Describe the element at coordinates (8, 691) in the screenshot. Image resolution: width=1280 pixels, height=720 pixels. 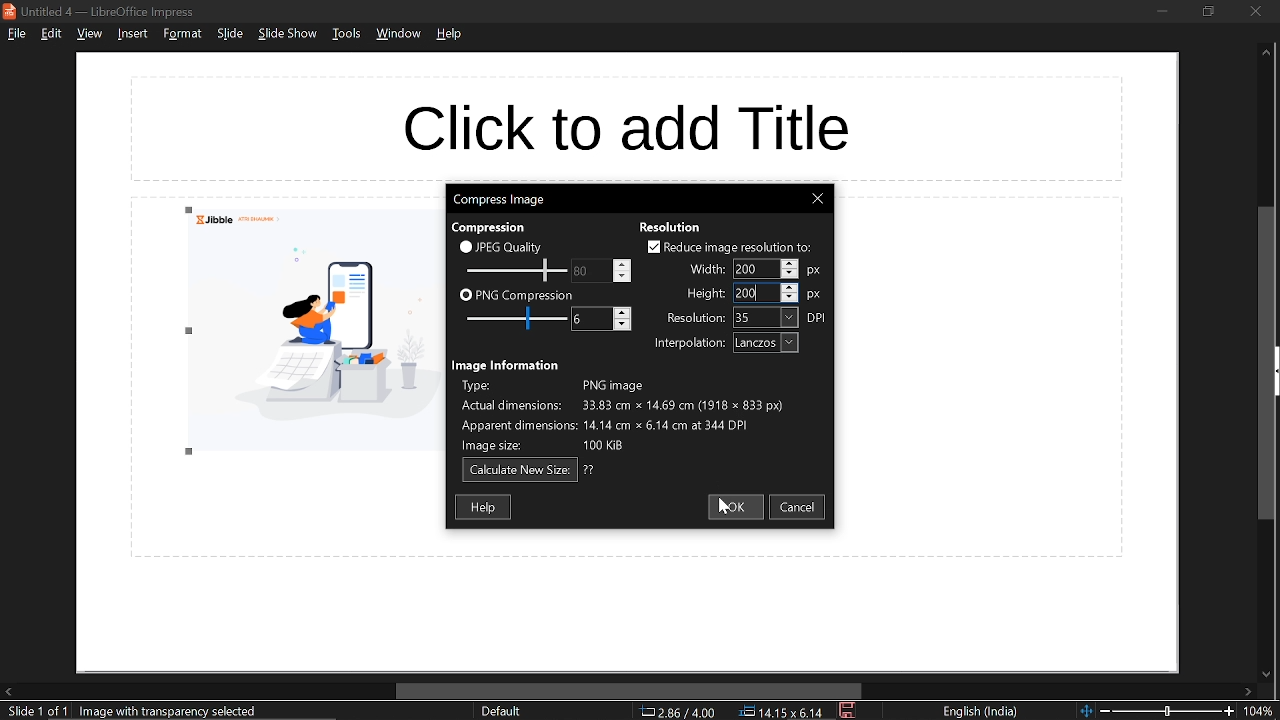
I see `move left` at that location.